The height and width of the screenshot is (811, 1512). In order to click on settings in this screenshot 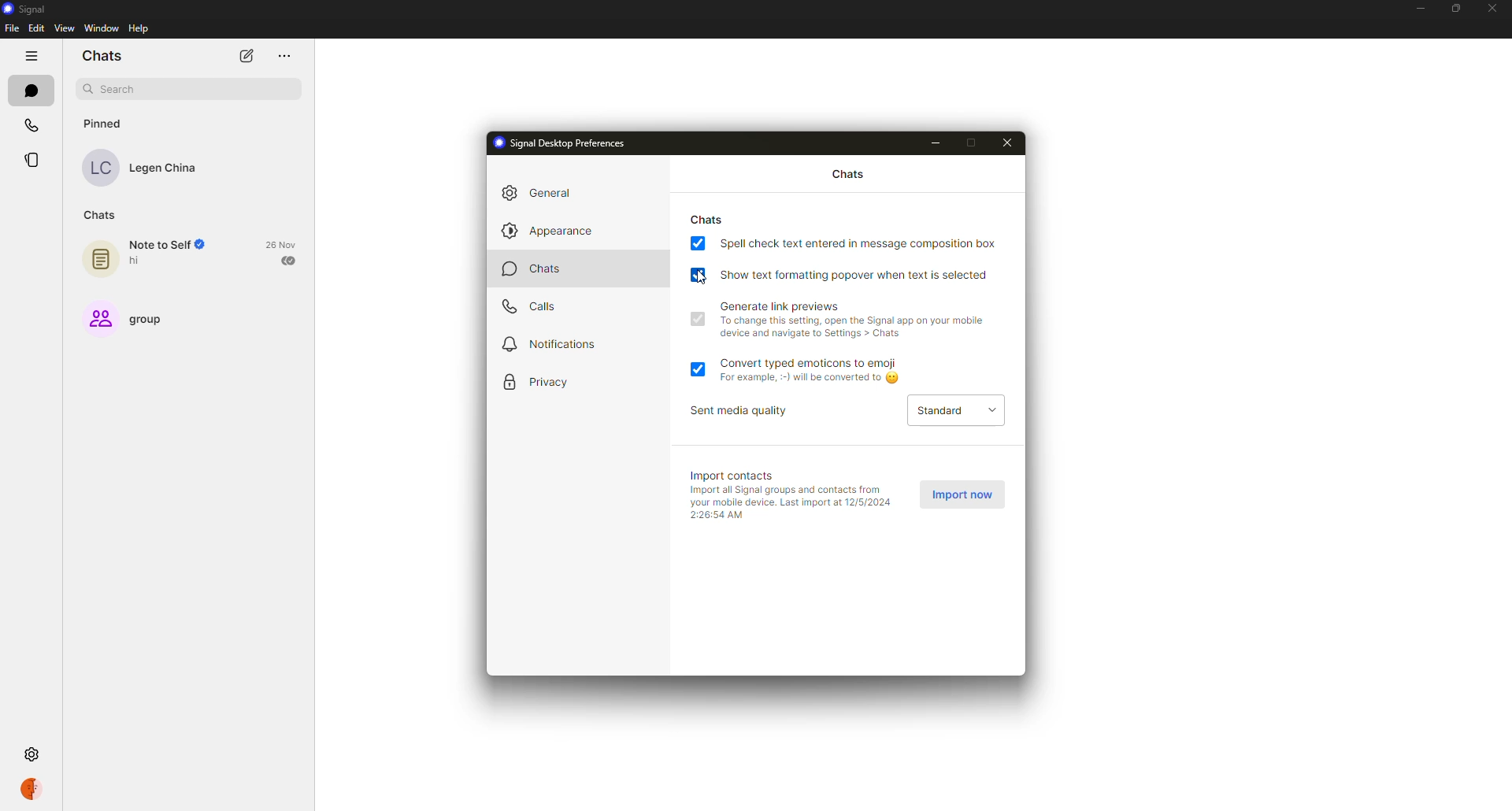, I will do `click(34, 756)`.